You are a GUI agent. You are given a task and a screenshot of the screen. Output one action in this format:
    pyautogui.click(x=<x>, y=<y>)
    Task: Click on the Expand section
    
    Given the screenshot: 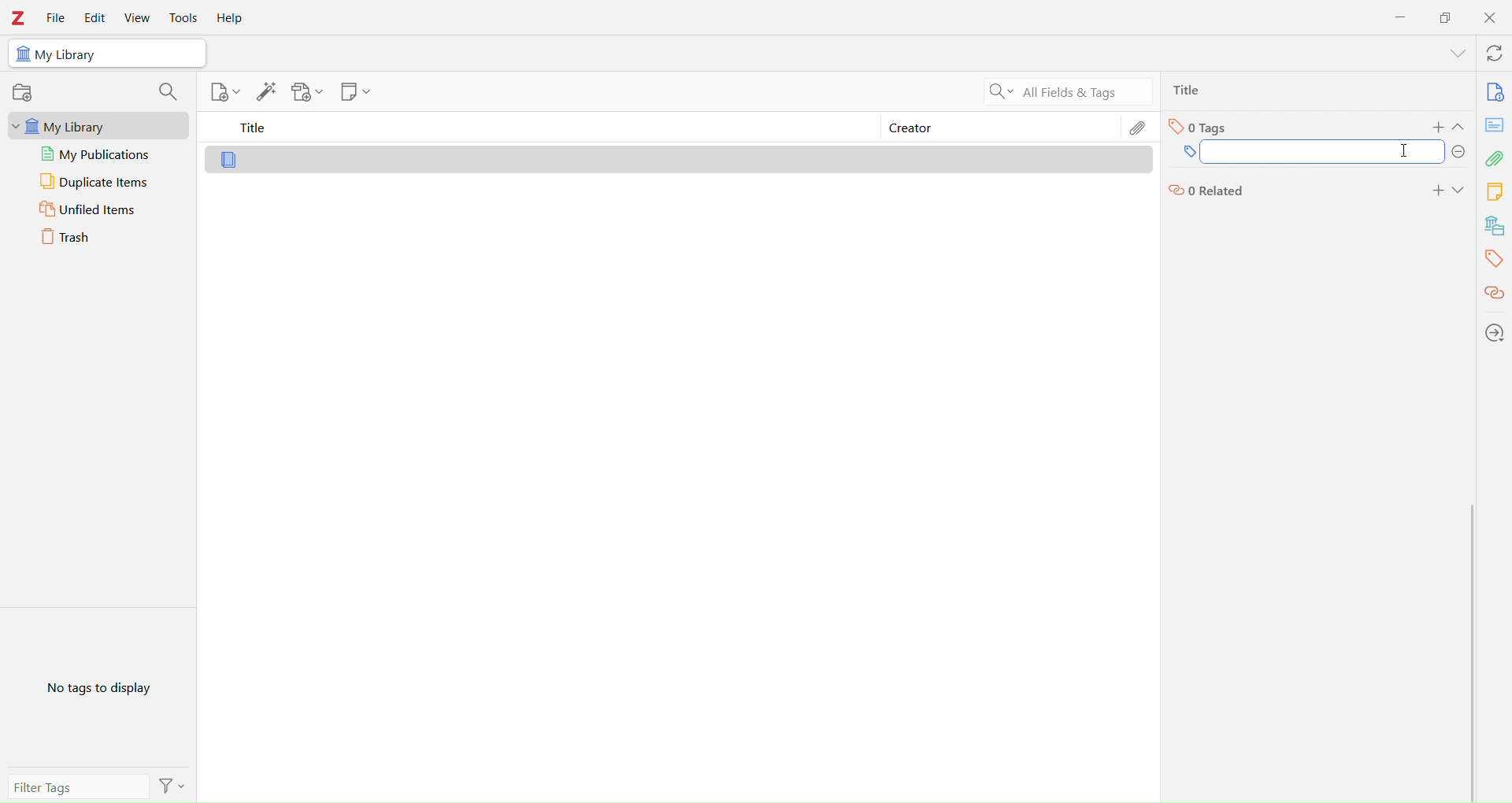 What is the action you would take?
    pyautogui.click(x=1464, y=191)
    